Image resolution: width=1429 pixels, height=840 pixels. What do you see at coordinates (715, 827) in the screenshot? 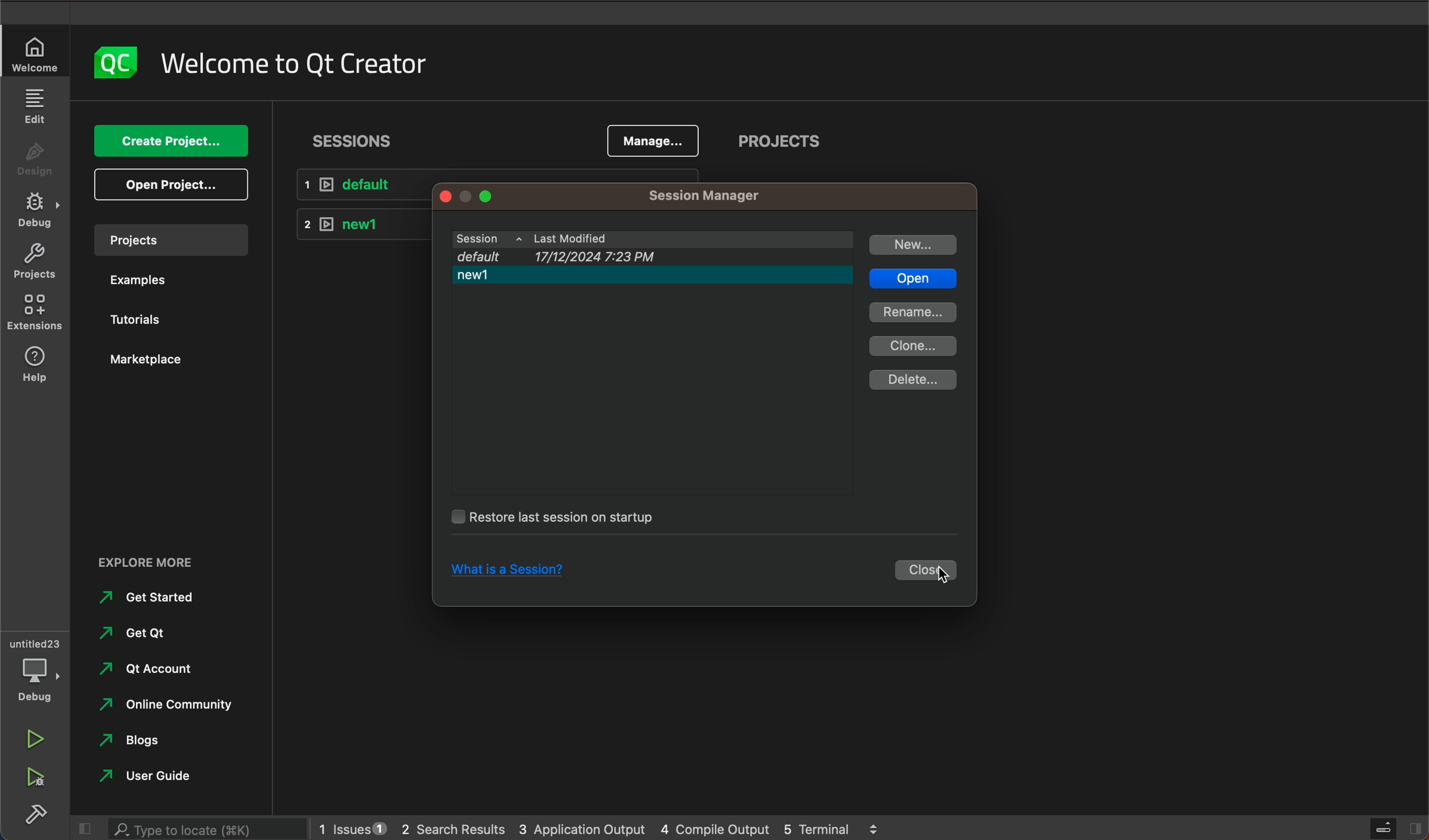
I see `compile output` at bounding box center [715, 827].